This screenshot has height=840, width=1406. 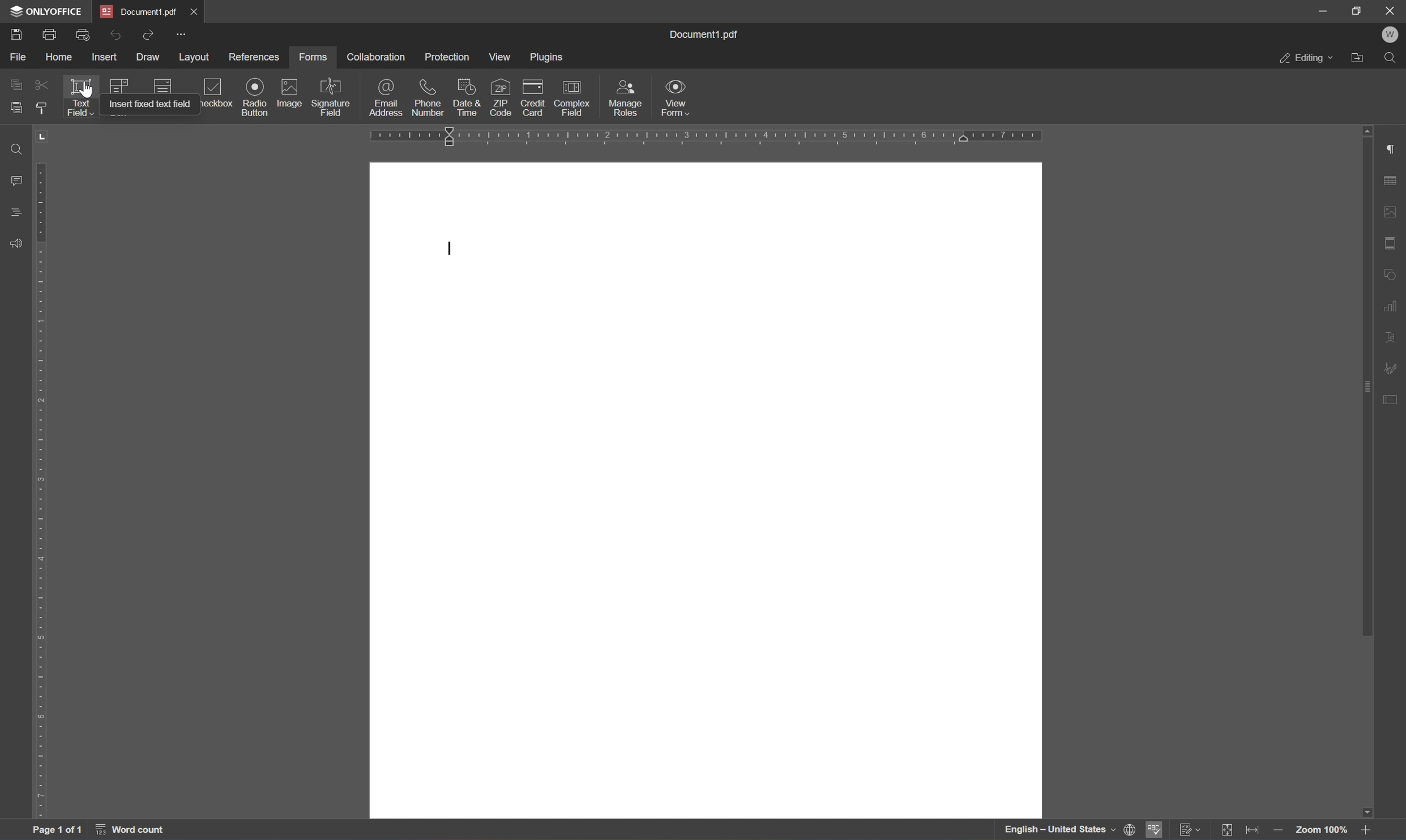 What do you see at coordinates (1392, 306) in the screenshot?
I see `chart settings` at bounding box center [1392, 306].